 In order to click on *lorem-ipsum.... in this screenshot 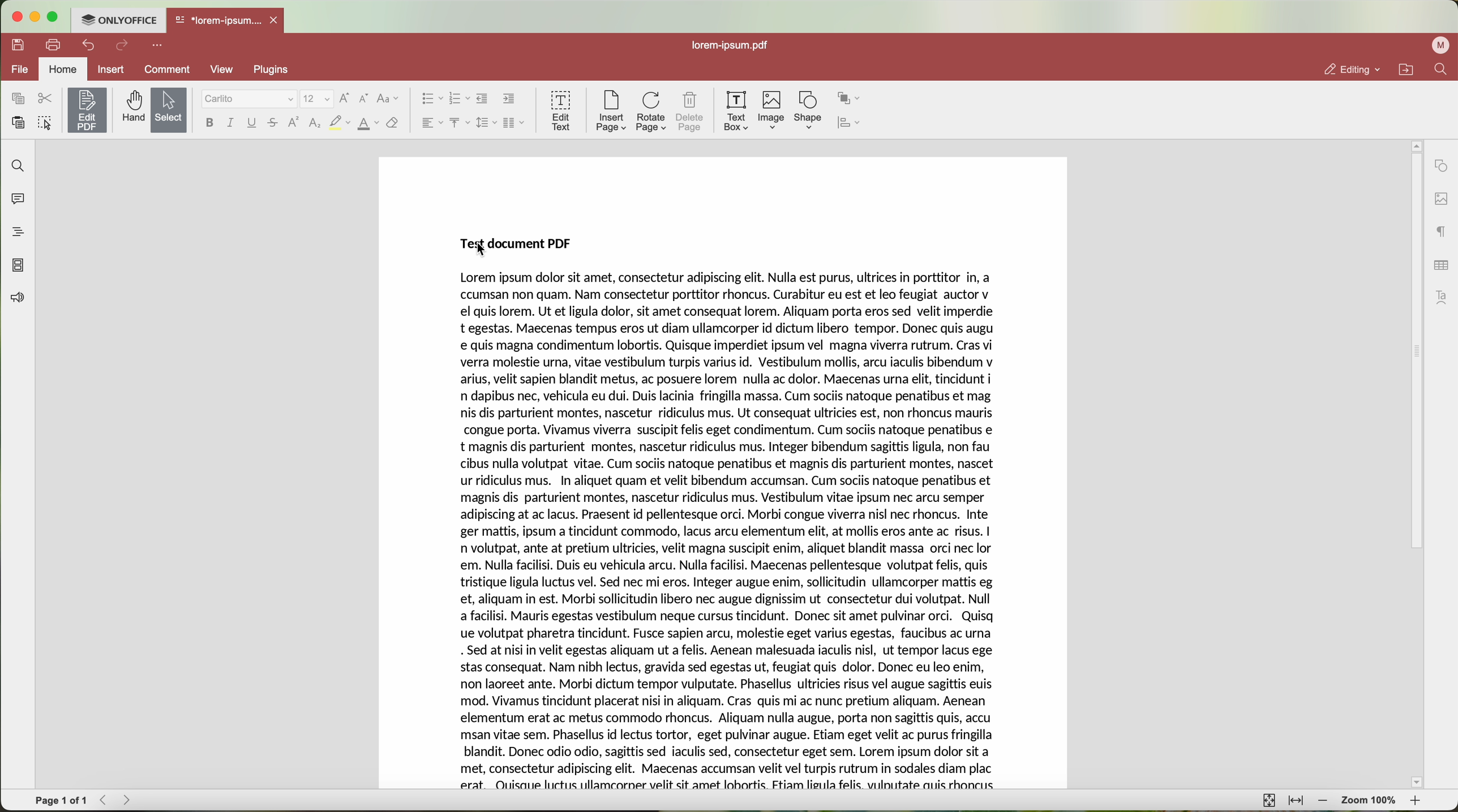, I will do `click(218, 19)`.